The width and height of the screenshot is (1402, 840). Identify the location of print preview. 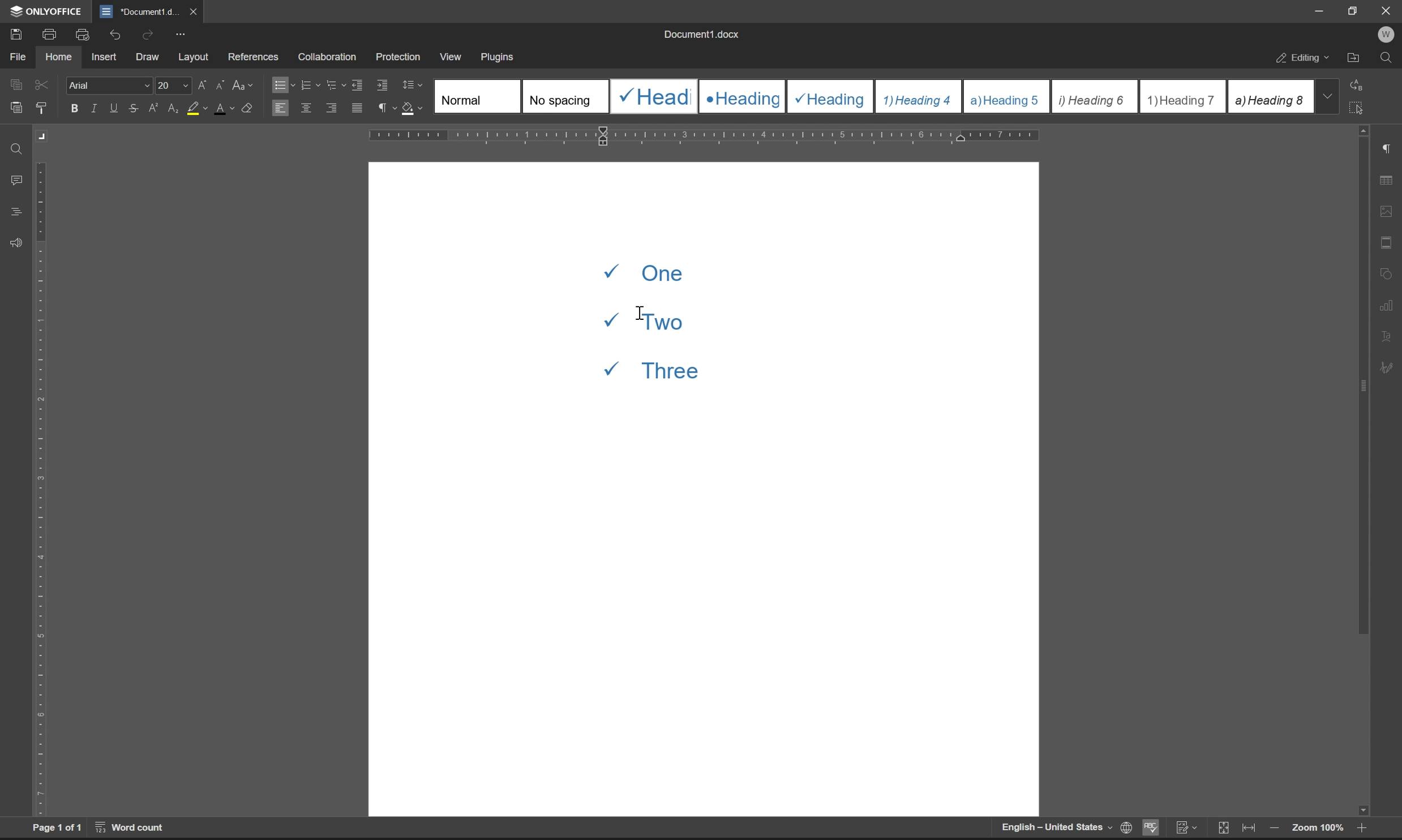
(84, 35).